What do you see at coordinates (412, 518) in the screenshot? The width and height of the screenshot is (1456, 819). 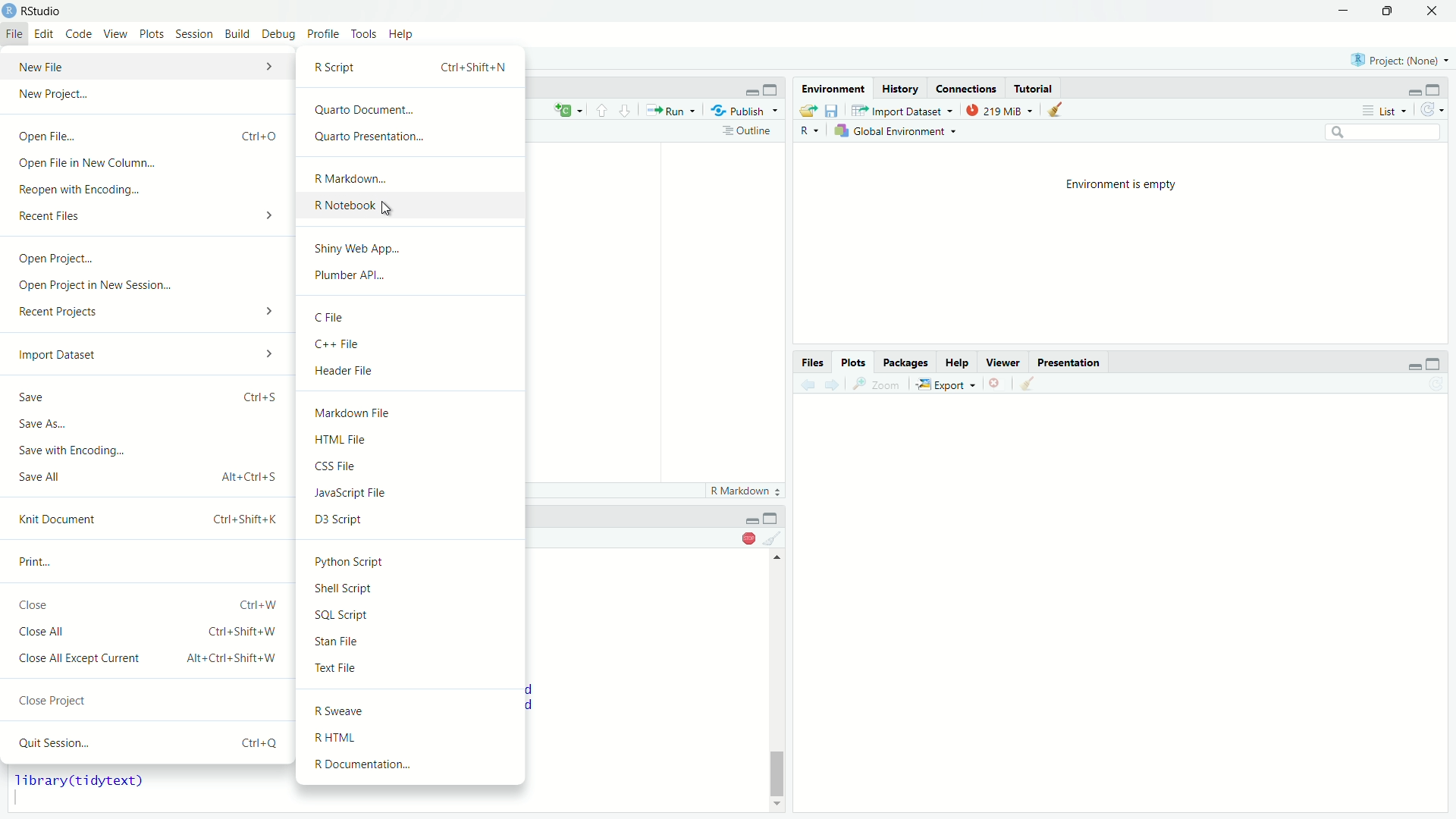 I see `D3 Script` at bounding box center [412, 518].